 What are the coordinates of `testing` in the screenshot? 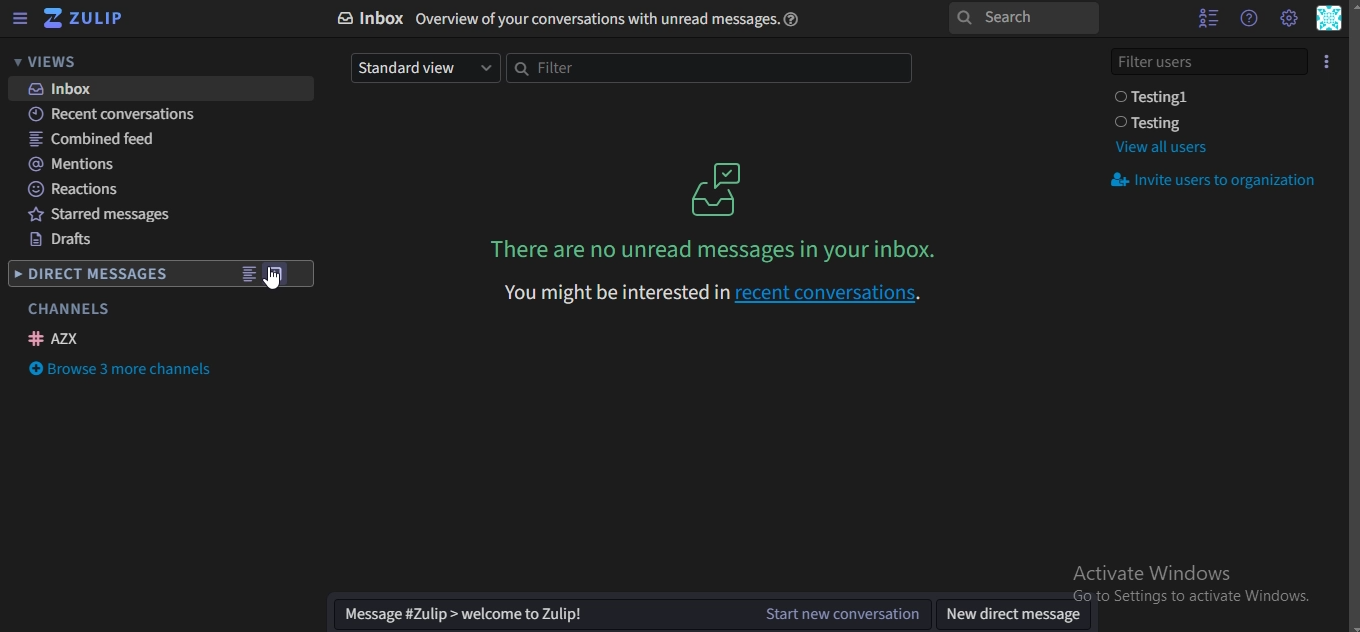 It's located at (1153, 123).